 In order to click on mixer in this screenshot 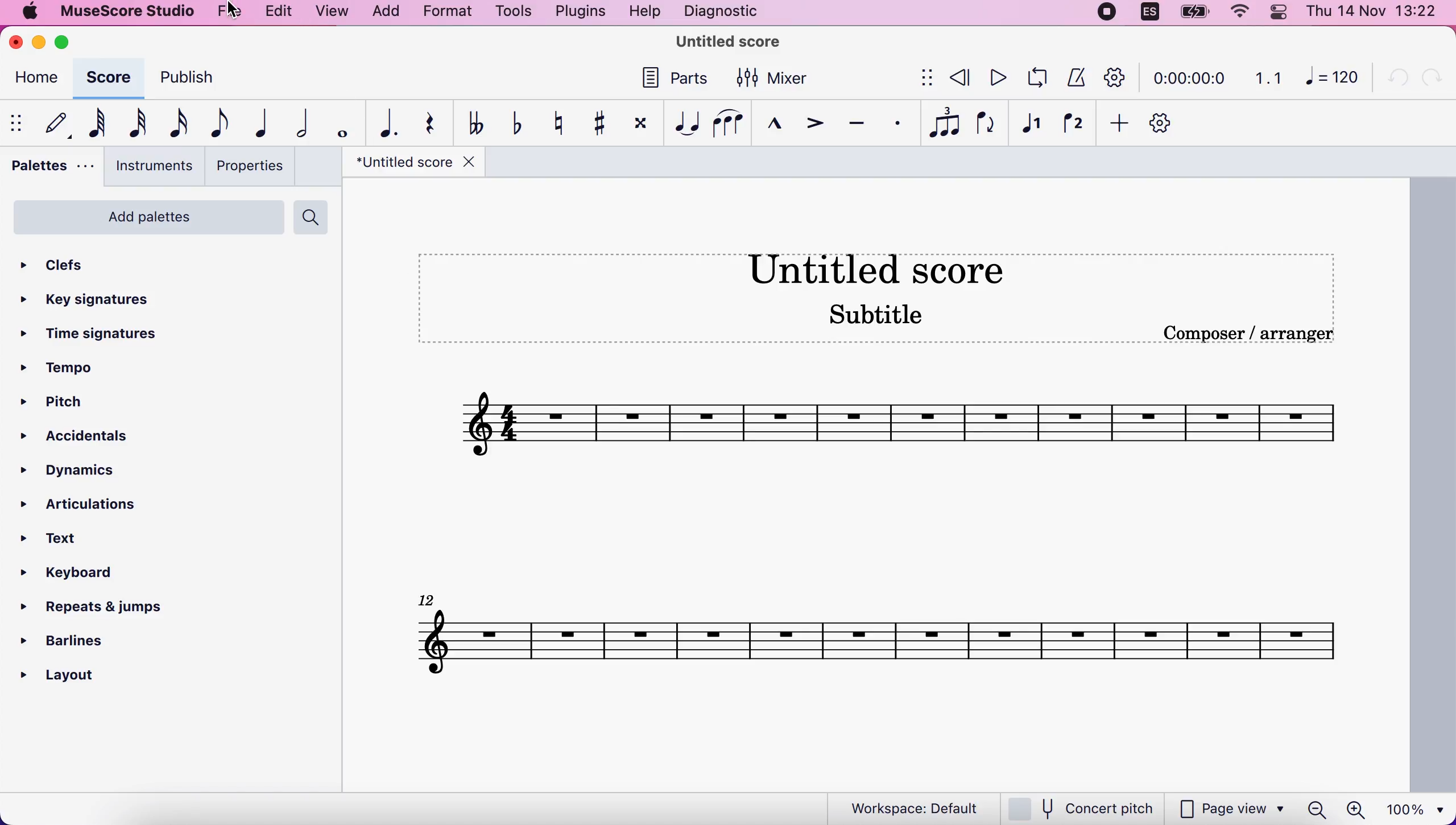, I will do `click(778, 77)`.